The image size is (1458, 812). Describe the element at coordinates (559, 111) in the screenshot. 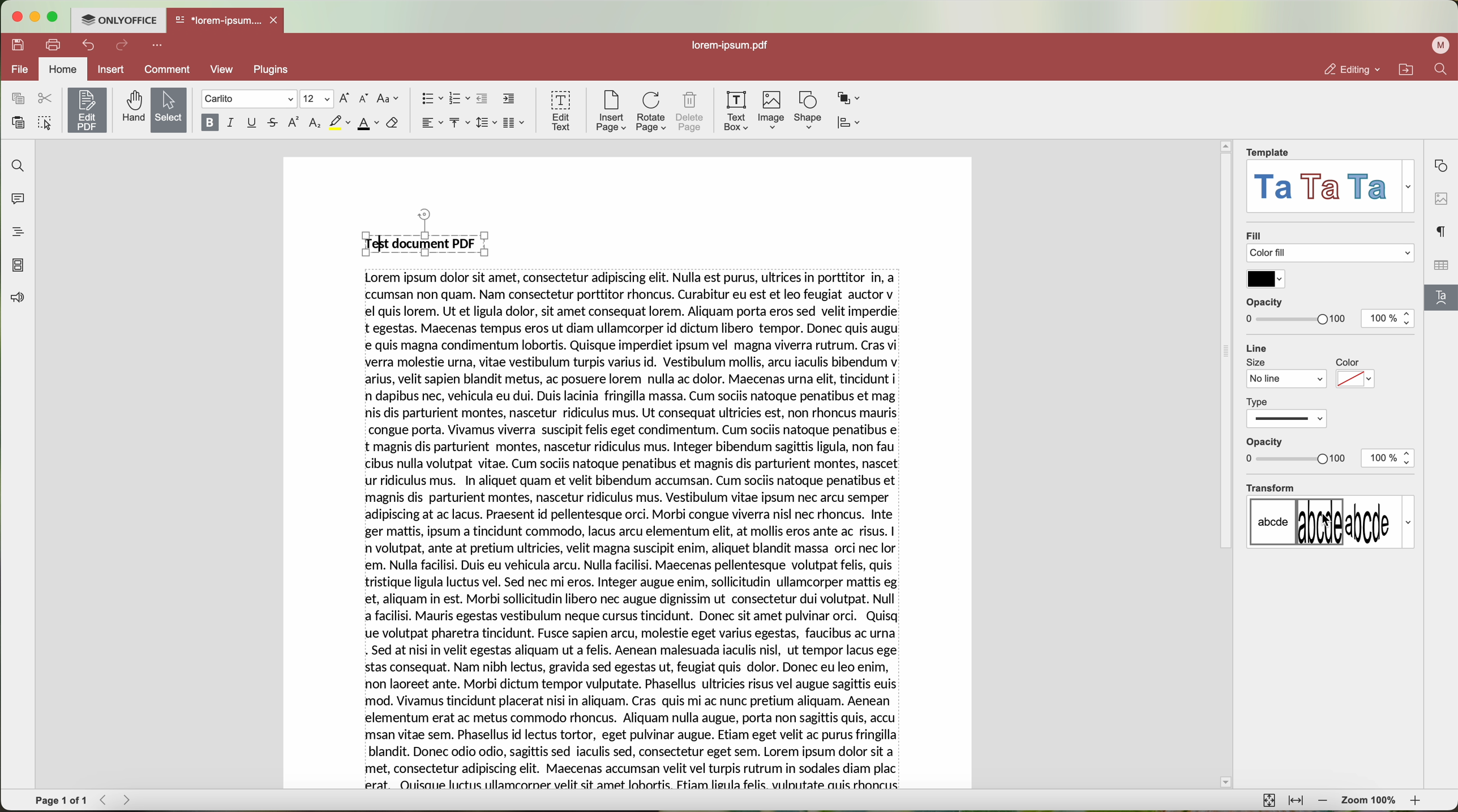

I see `edit text` at that location.